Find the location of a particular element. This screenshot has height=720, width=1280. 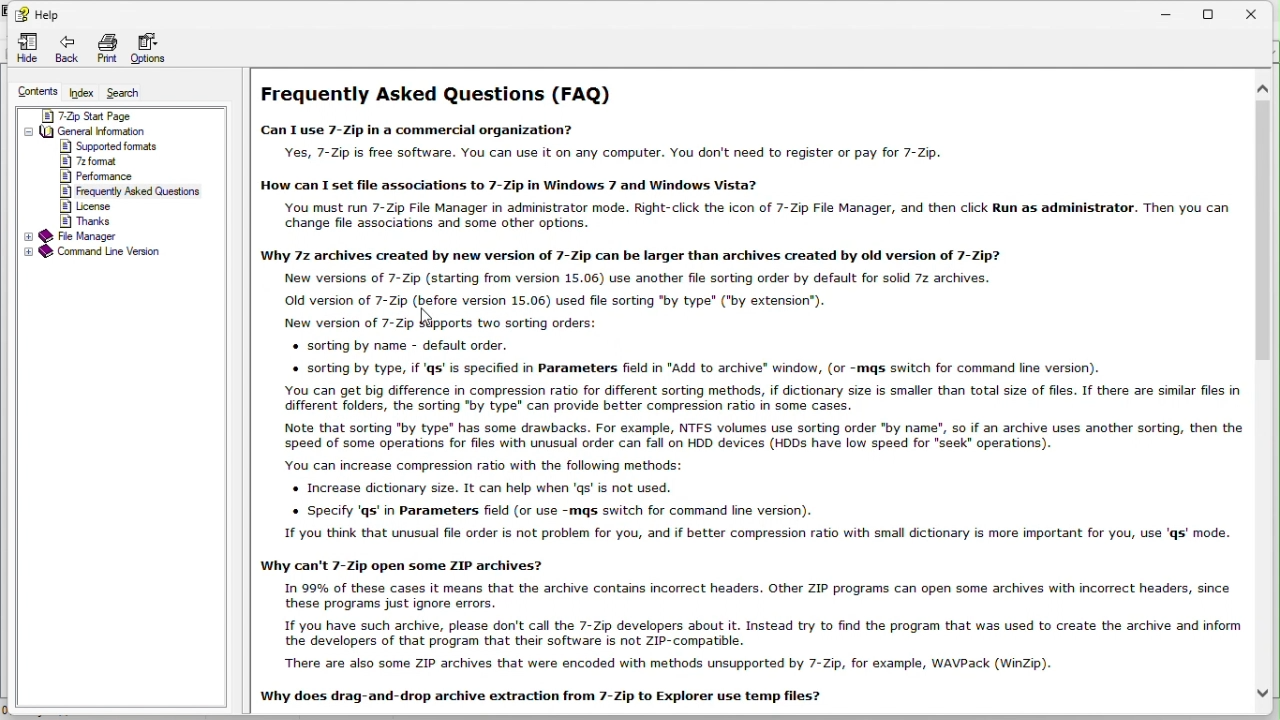

Search is located at coordinates (128, 93).